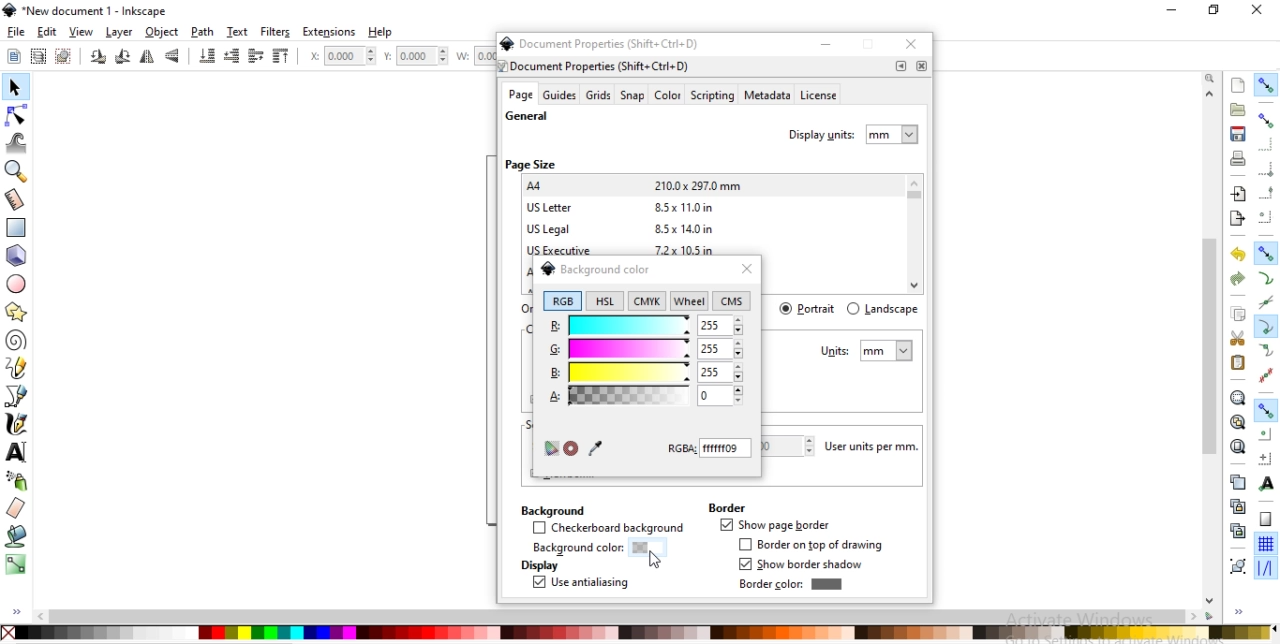 The width and height of the screenshot is (1280, 644). Describe the element at coordinates (1265, 328) in the screenshot. I see `snap cusp nodes` at that location.